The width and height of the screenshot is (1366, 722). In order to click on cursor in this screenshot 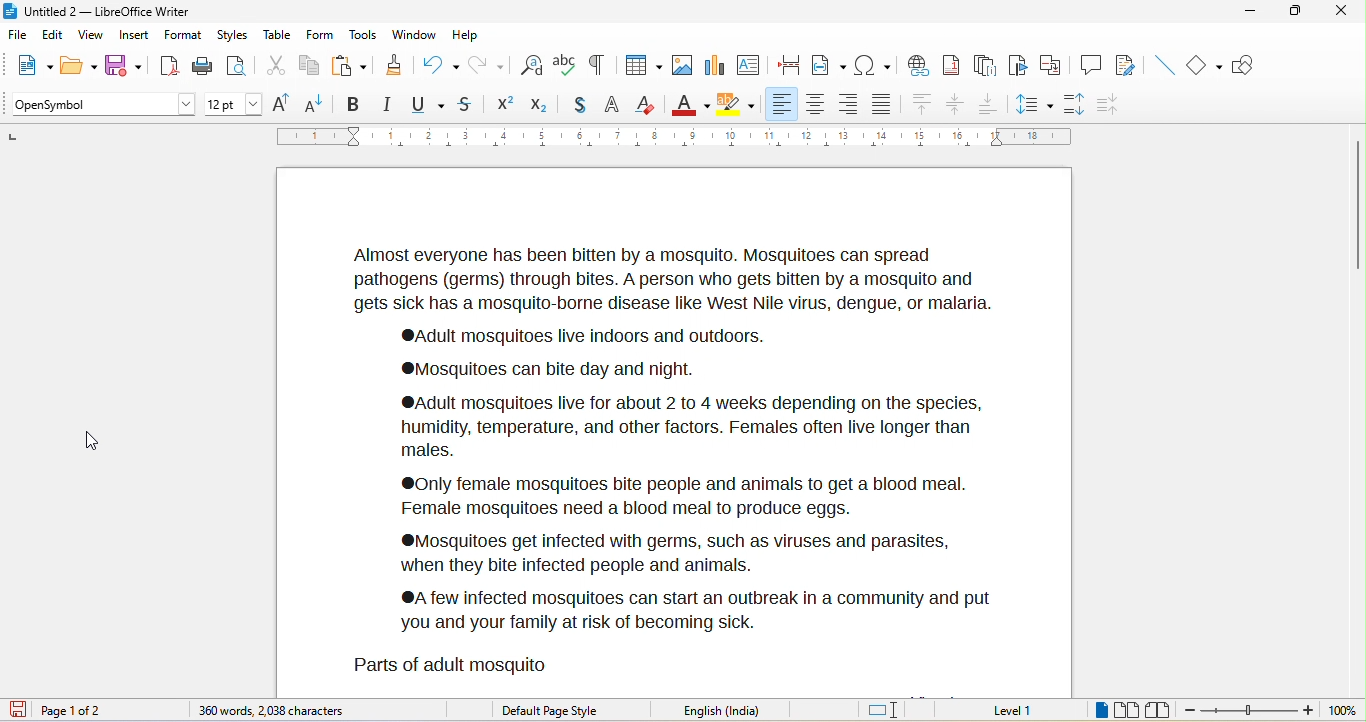, I will do `click(88, 437)`.